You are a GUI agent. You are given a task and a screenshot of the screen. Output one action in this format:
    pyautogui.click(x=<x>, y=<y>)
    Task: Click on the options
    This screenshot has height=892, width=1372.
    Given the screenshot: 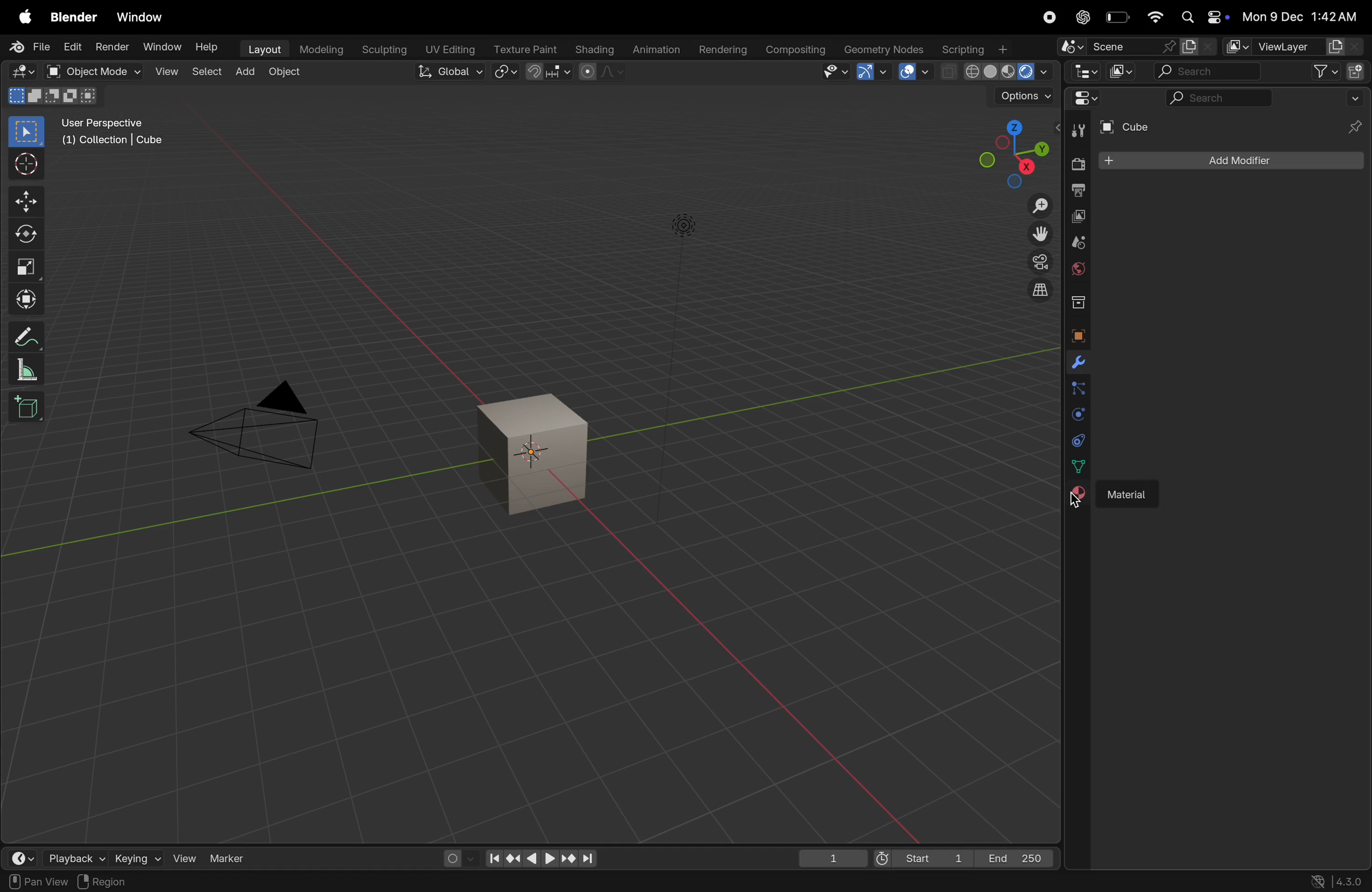 What is the action you would take?
    pyautogui.click(x=1023, y=97)
    